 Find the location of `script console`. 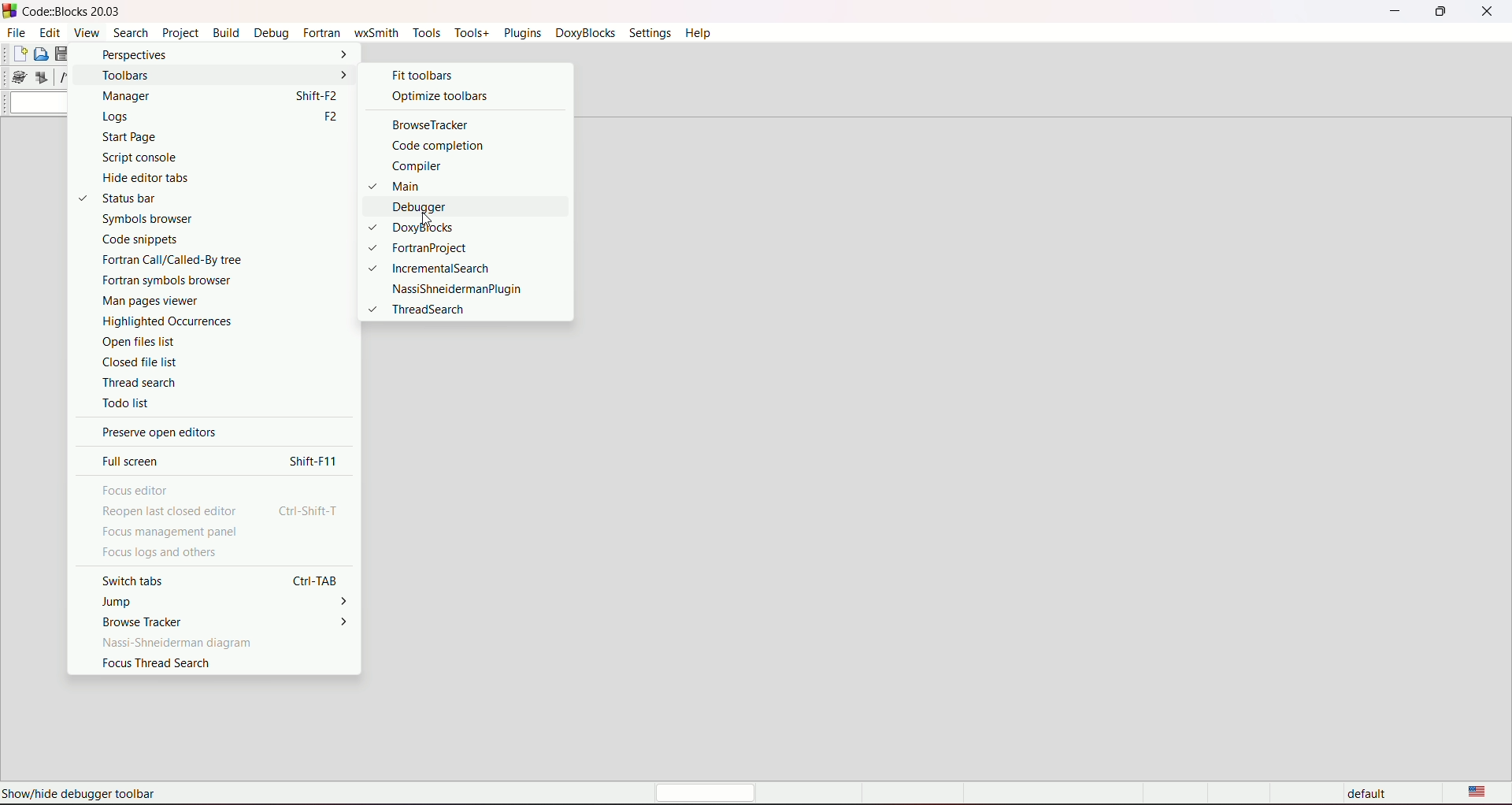

script console is located at coordinates (196, 158).